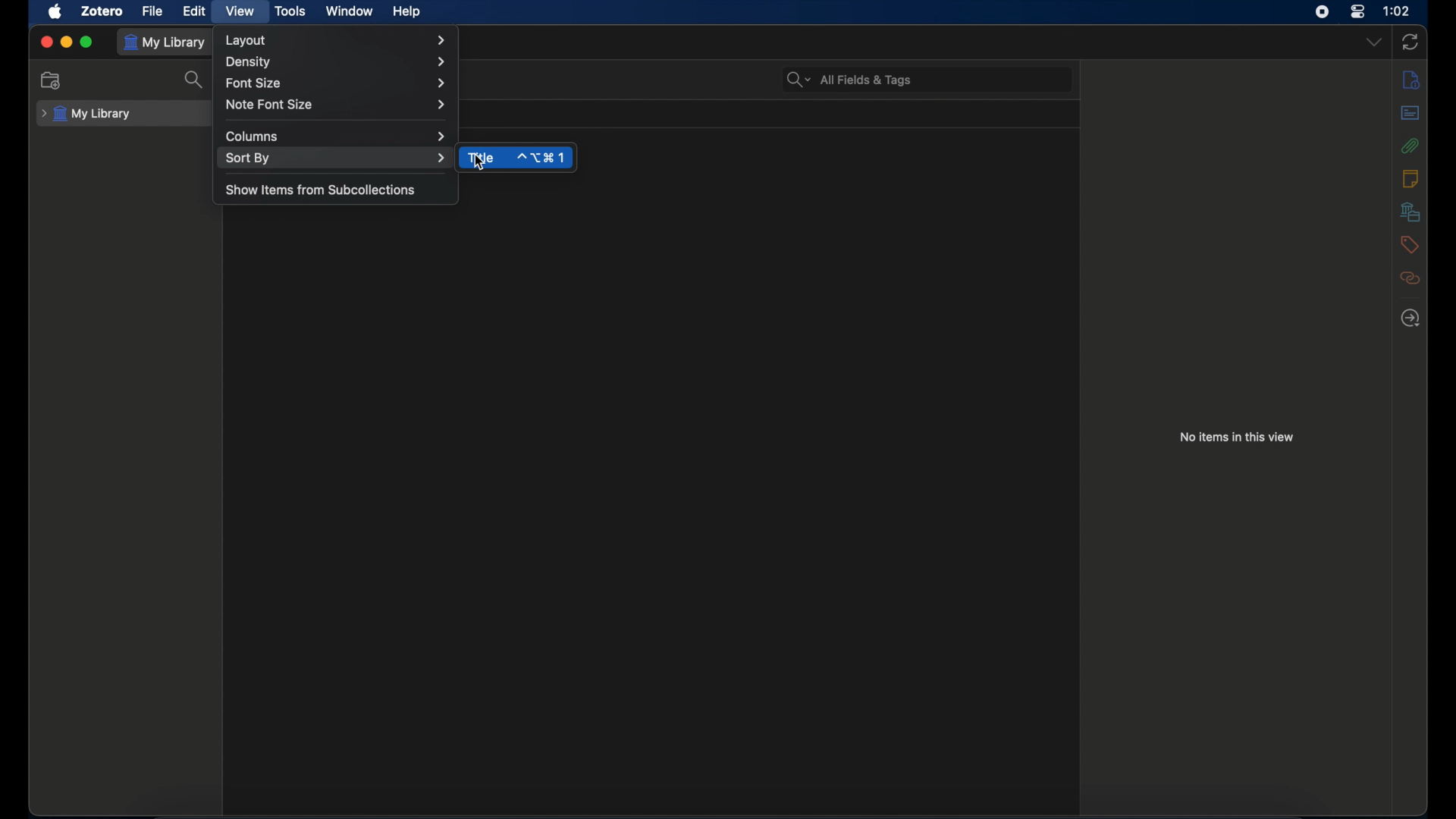 Image resolution: width=1456 pixels, height=819 pixels. What do you see at coordinates (86, 42) in the screenshot?
I see `maximize` at bounding box center [86, 42].